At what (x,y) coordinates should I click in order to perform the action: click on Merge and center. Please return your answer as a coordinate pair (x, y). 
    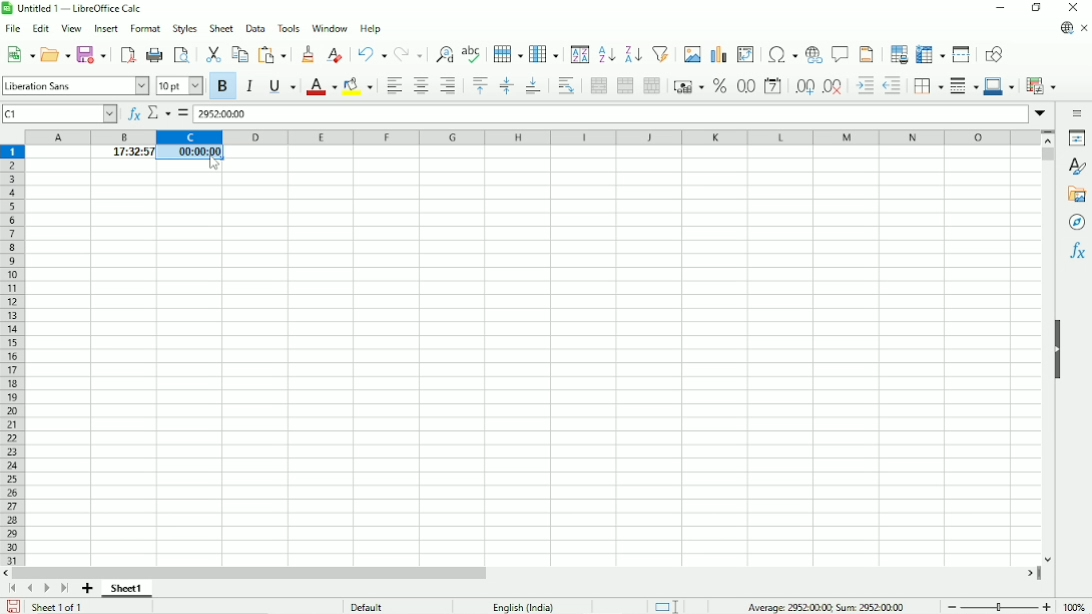
    Looking at the image, I should click on (596, 87).